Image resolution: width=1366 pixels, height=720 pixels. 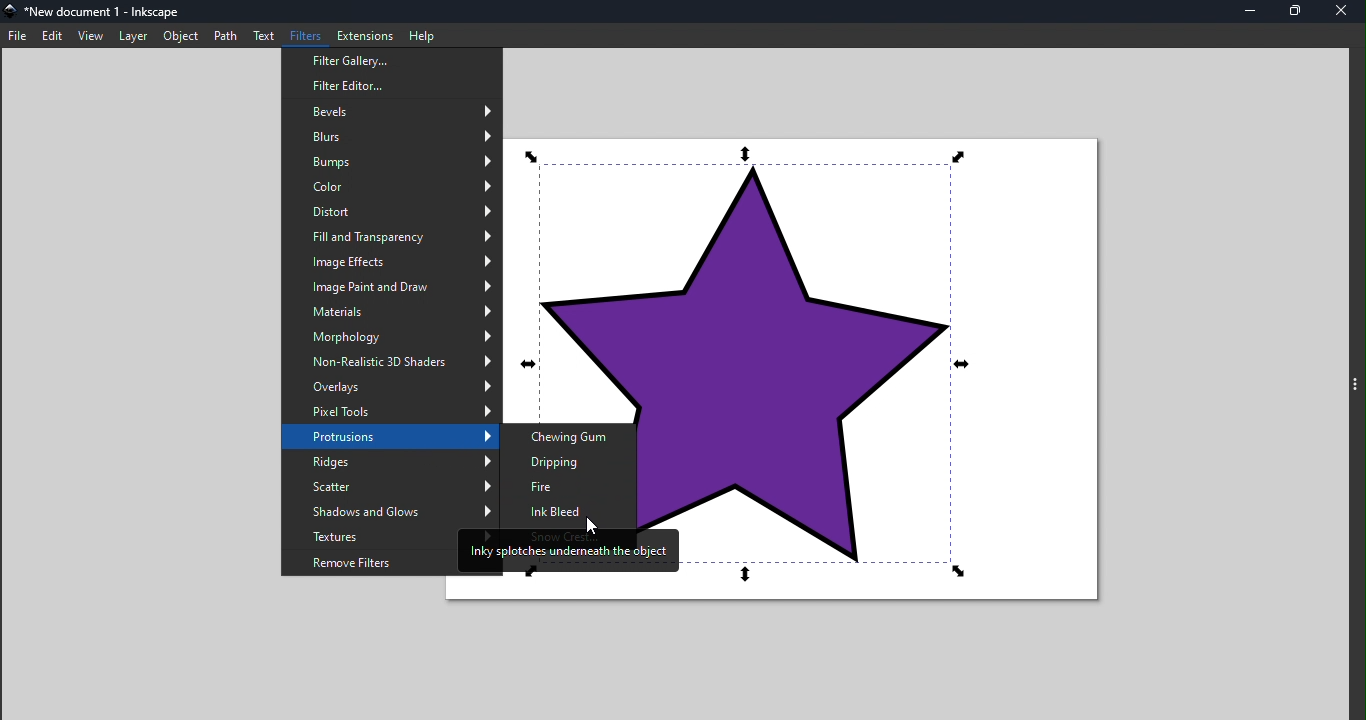 I want to click on Blurs, so click(x=394, y=137).